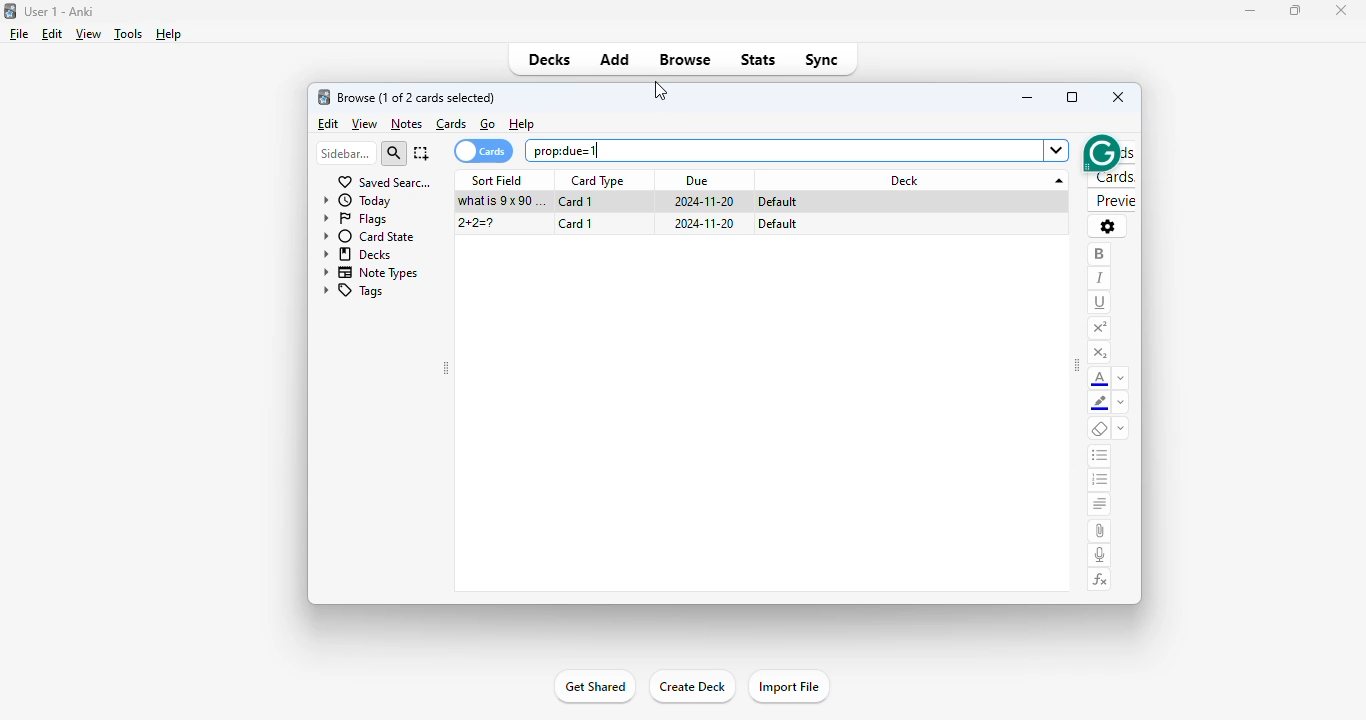 This screenshot has height=720, width=1366. I want to click on bold, so click(1100, 255).